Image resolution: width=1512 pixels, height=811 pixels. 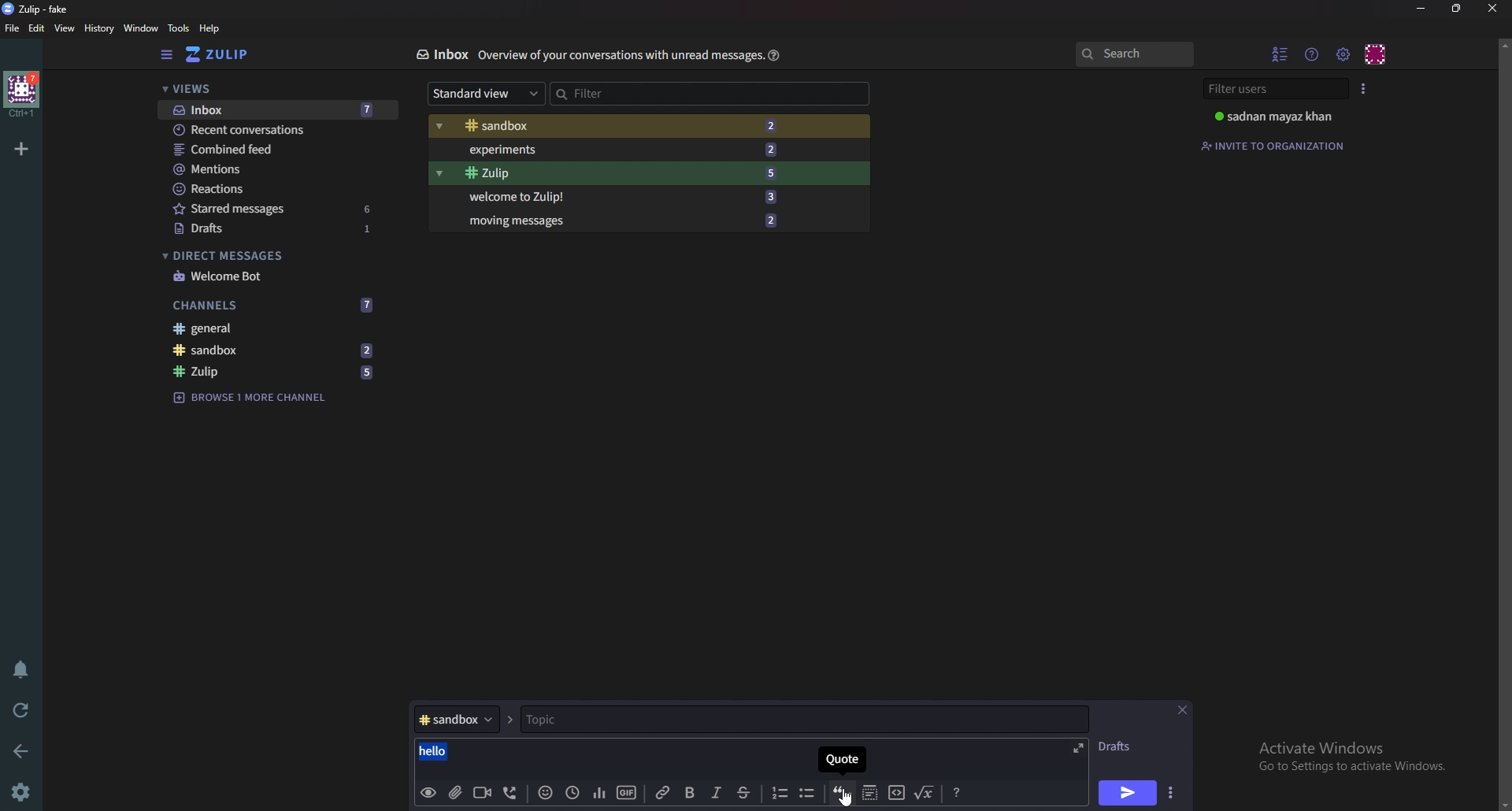 What do you see at coordinates (624, 793) in the screenshot?
I see `gif` at bounding box center [624, 793].